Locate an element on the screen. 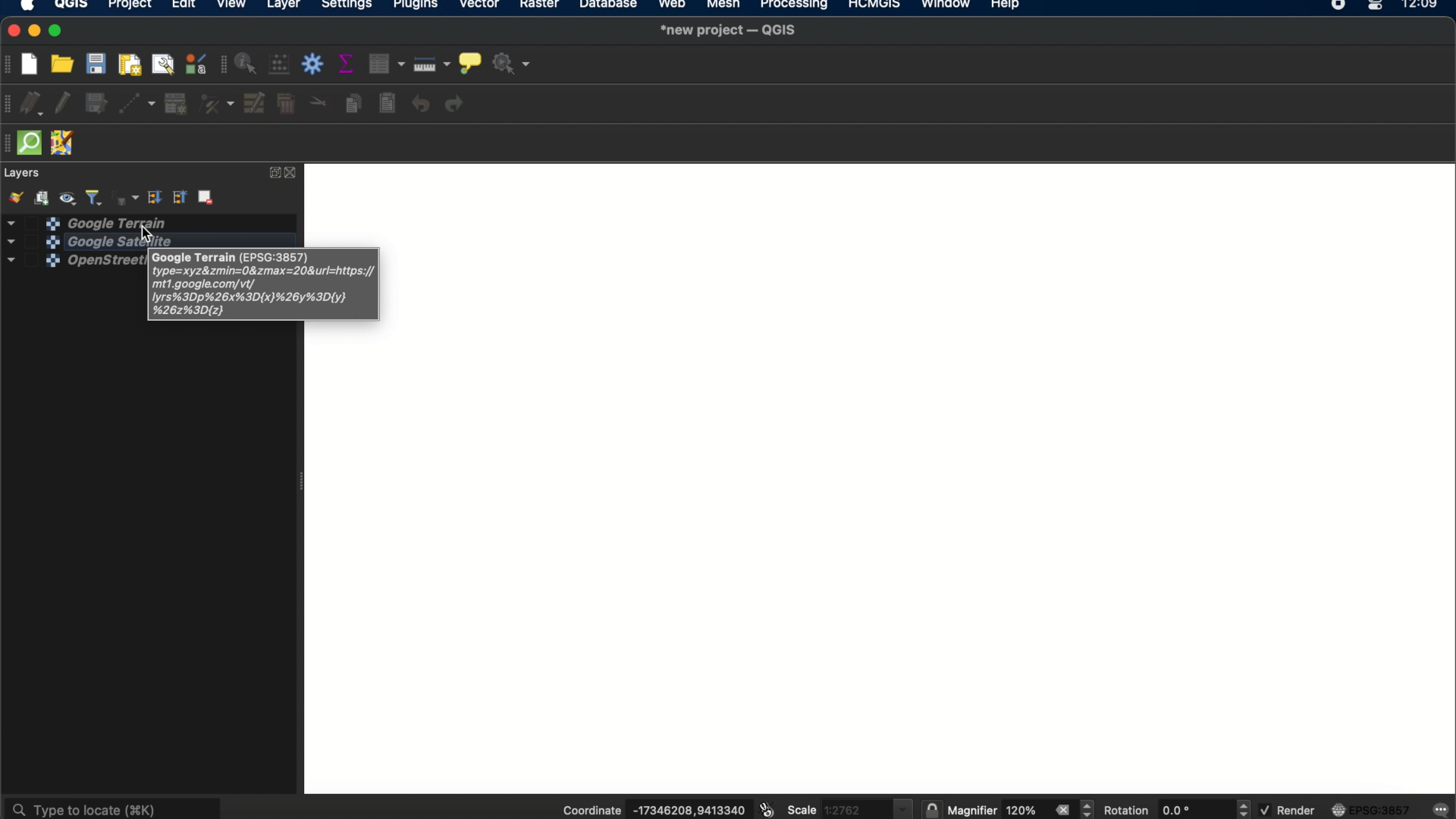  database is located at coordinates (609, 6).